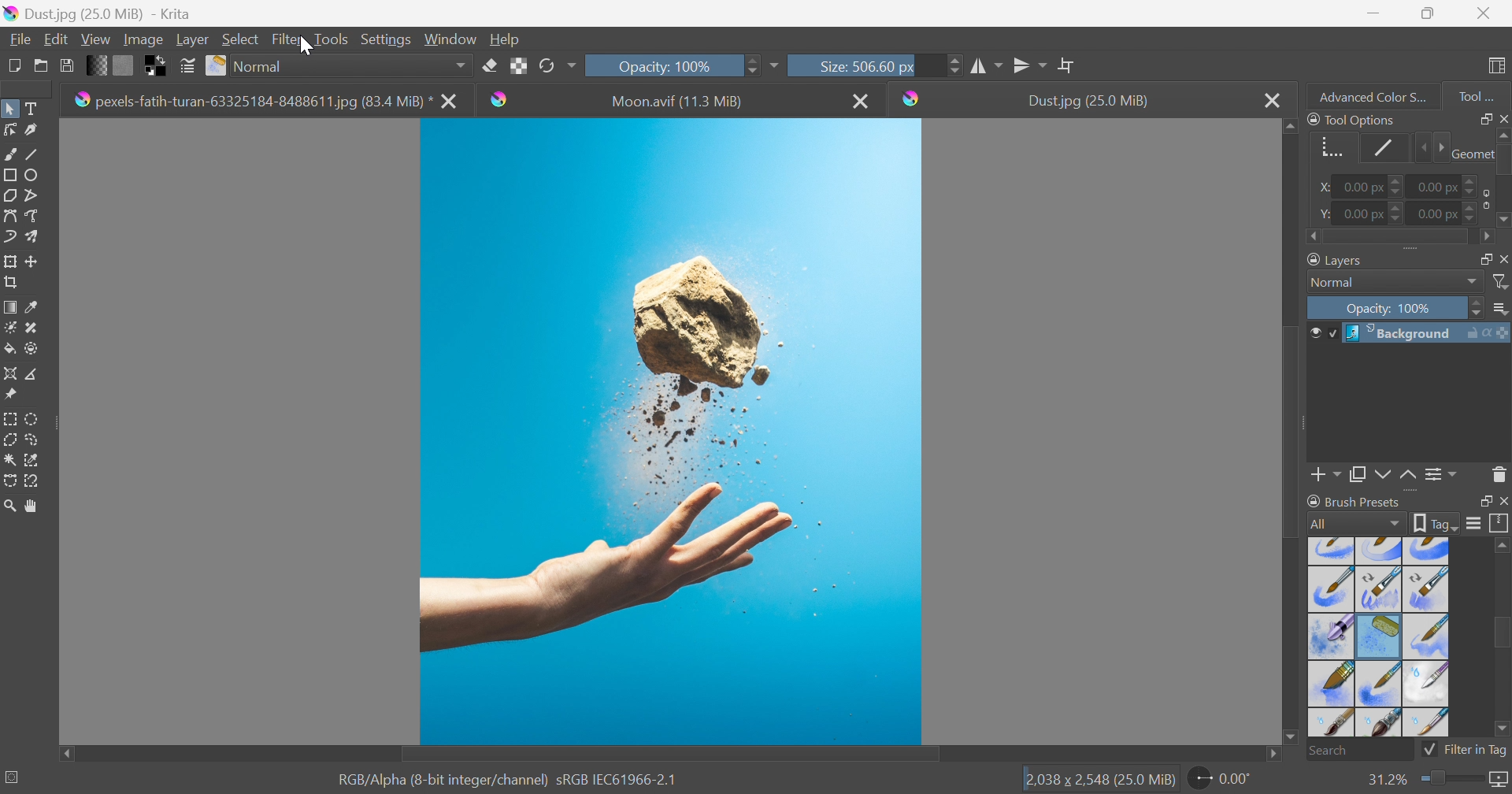 This screenshot has width=1512, height=794. I want to click on Y:, so click(1322, 213).